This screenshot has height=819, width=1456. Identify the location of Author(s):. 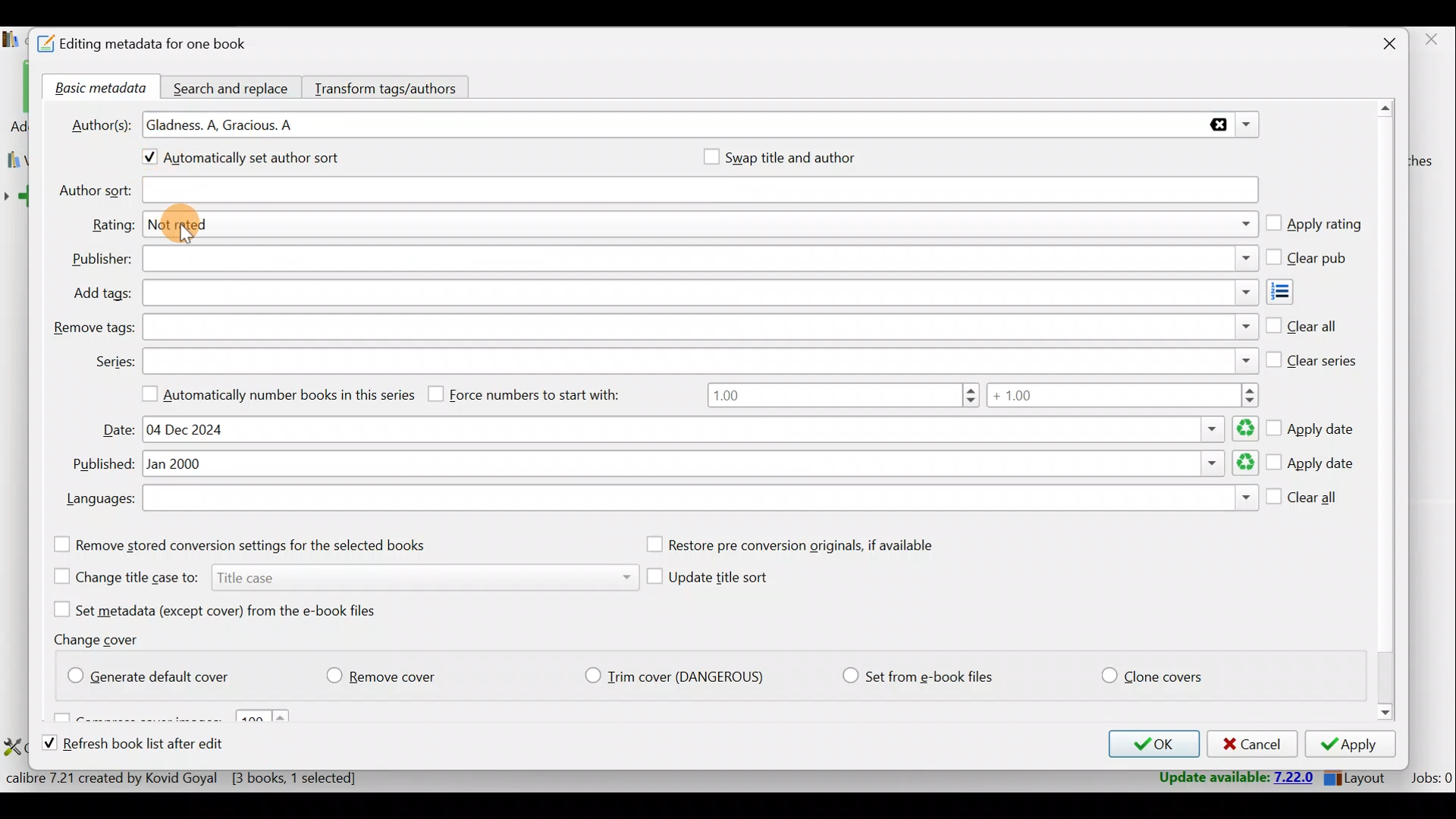
(101, 123).